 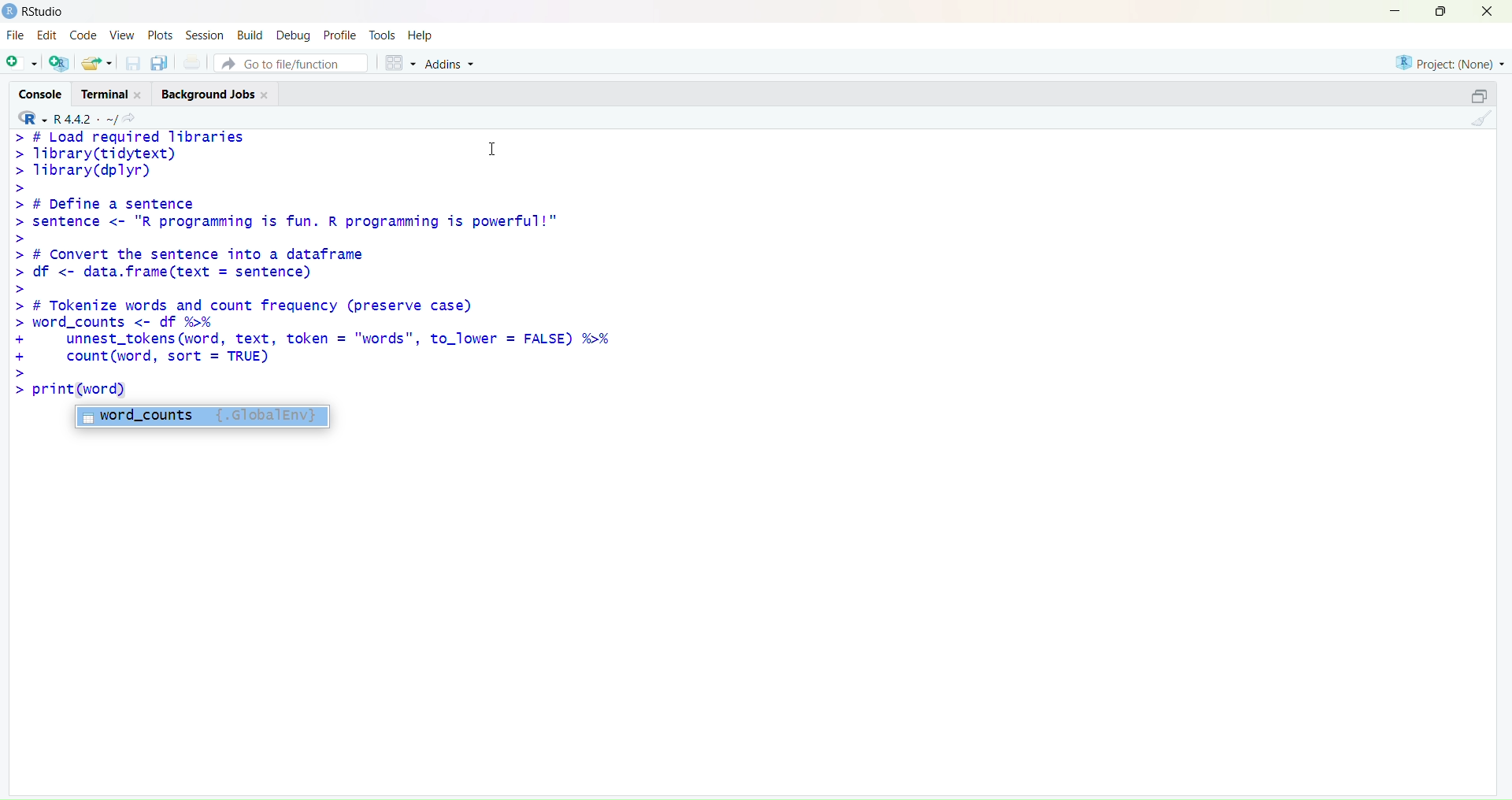 I want to click on plots, so click(x=161, y=35).